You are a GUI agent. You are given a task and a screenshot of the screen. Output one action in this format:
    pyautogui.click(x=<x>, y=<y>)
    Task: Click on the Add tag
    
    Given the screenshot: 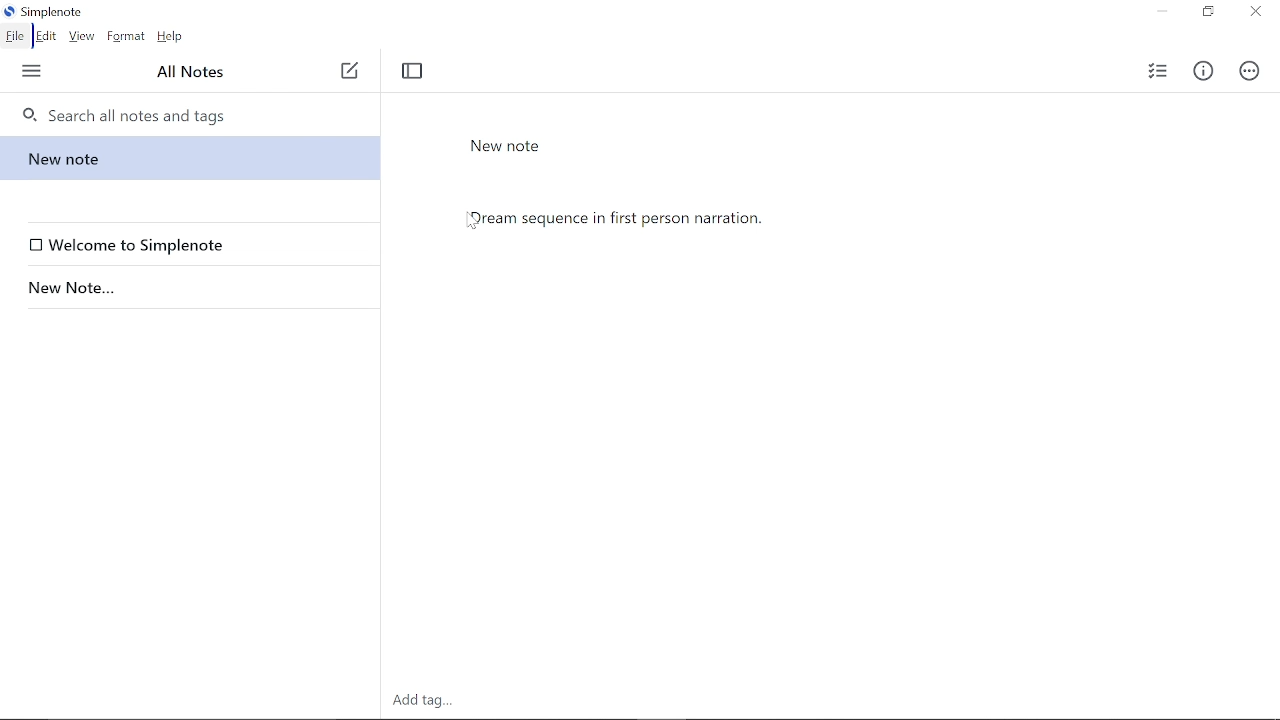 What is the action you would take?
    pyautogui.click(x=420, y=703)
    